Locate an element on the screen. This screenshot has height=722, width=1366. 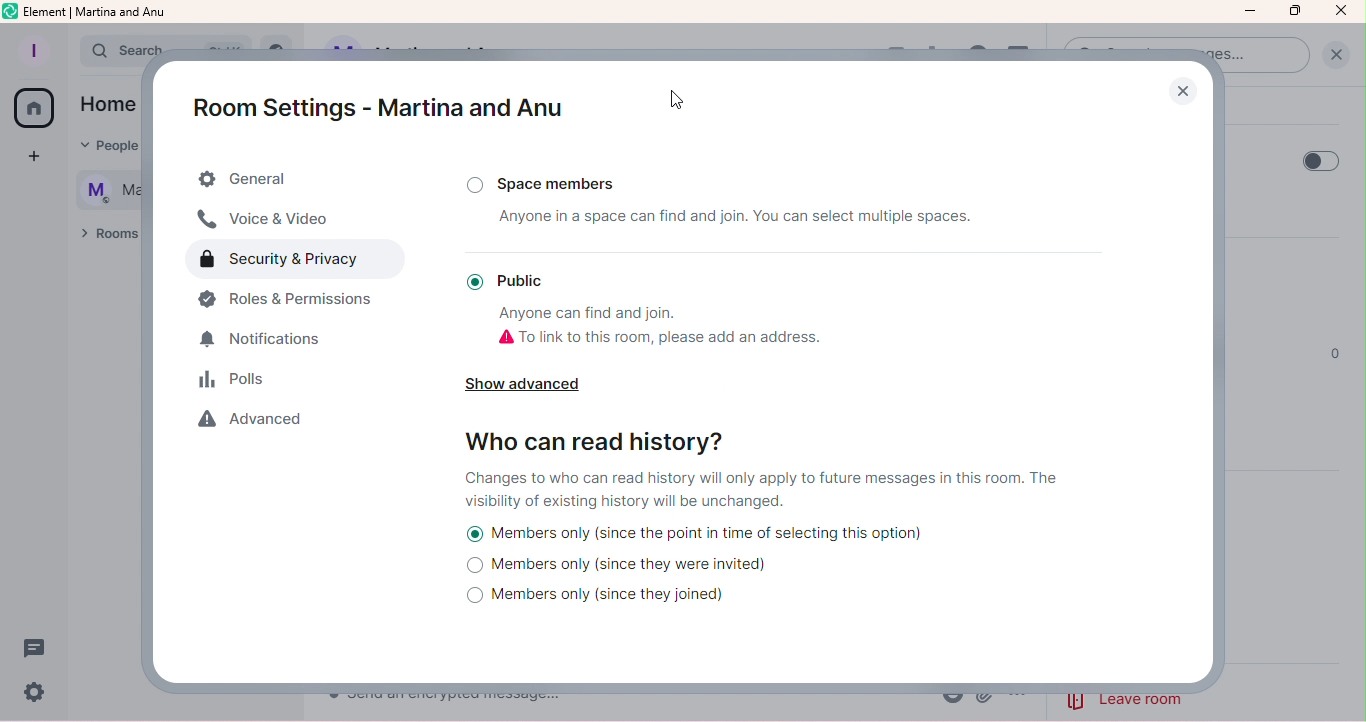
Security and privacy is located at coordinates (301, 261).